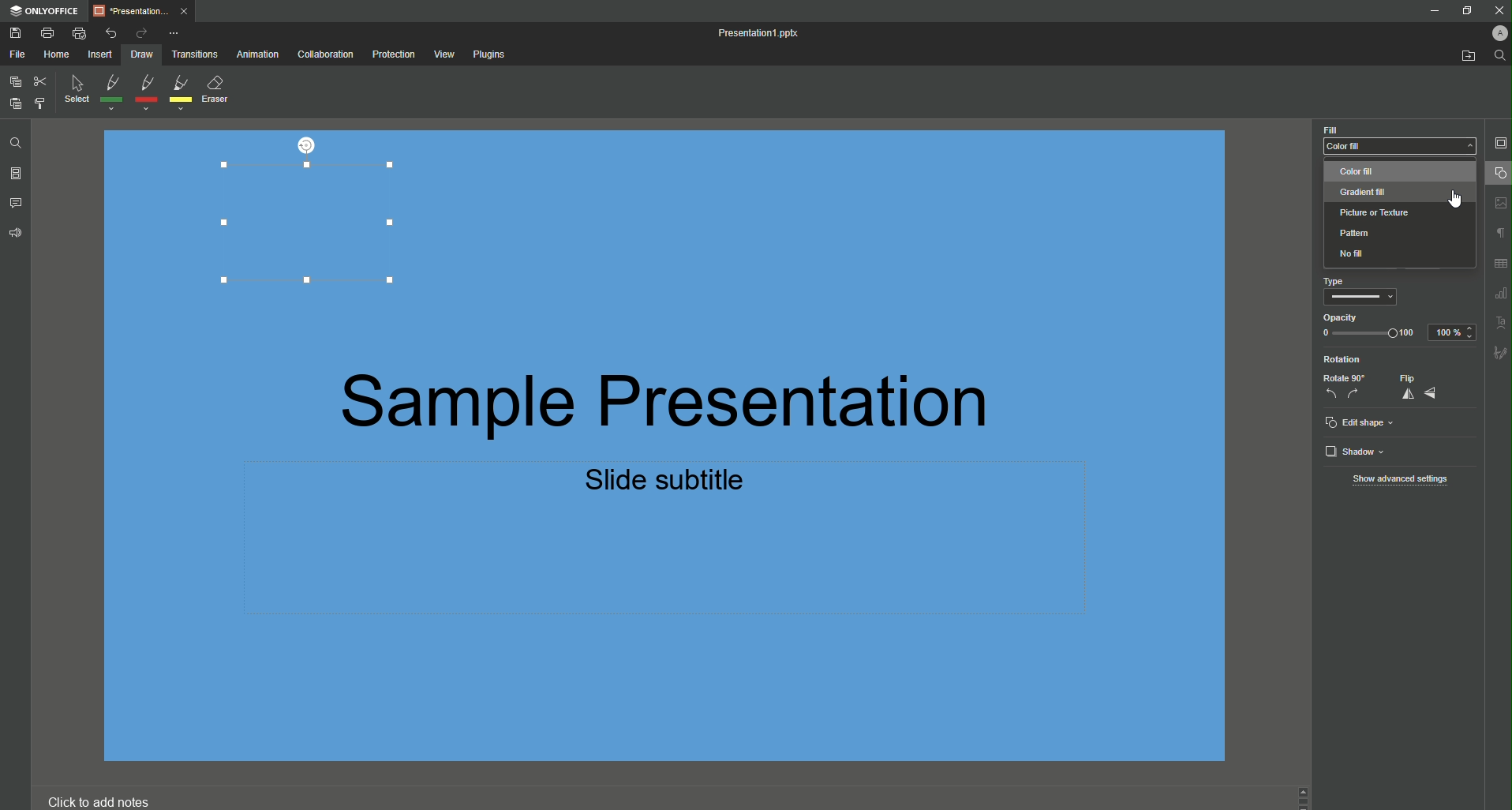 This screenshot has height=810, width=1512. Describe the element at coordinates (1495, 10) in the screenshot. I see `Close` at that location.